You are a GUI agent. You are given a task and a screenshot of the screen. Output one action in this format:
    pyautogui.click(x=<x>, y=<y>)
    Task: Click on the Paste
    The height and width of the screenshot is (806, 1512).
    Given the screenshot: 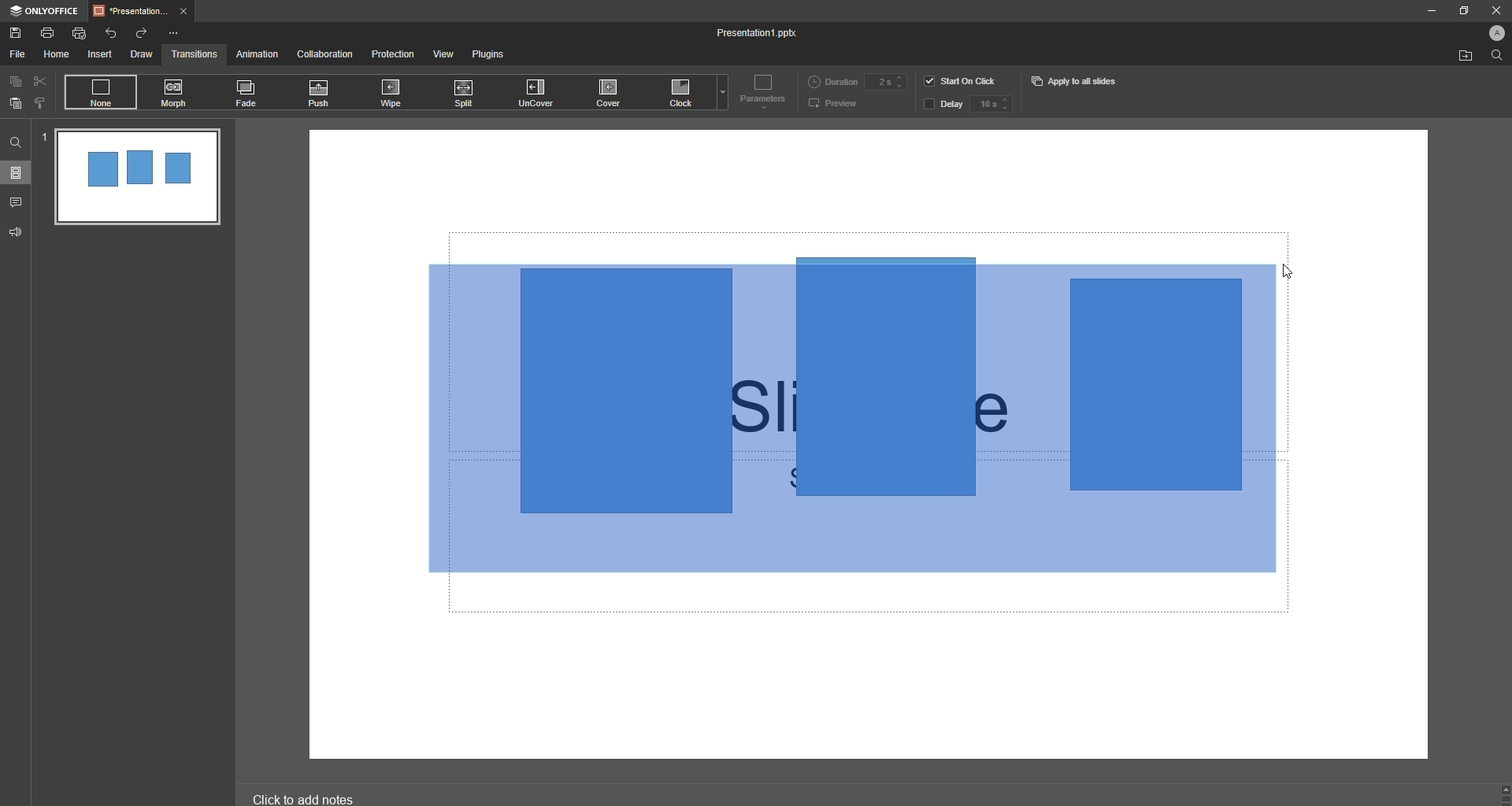 What is the action you would take?
    pyautogui.click(x=16, y=103)
    